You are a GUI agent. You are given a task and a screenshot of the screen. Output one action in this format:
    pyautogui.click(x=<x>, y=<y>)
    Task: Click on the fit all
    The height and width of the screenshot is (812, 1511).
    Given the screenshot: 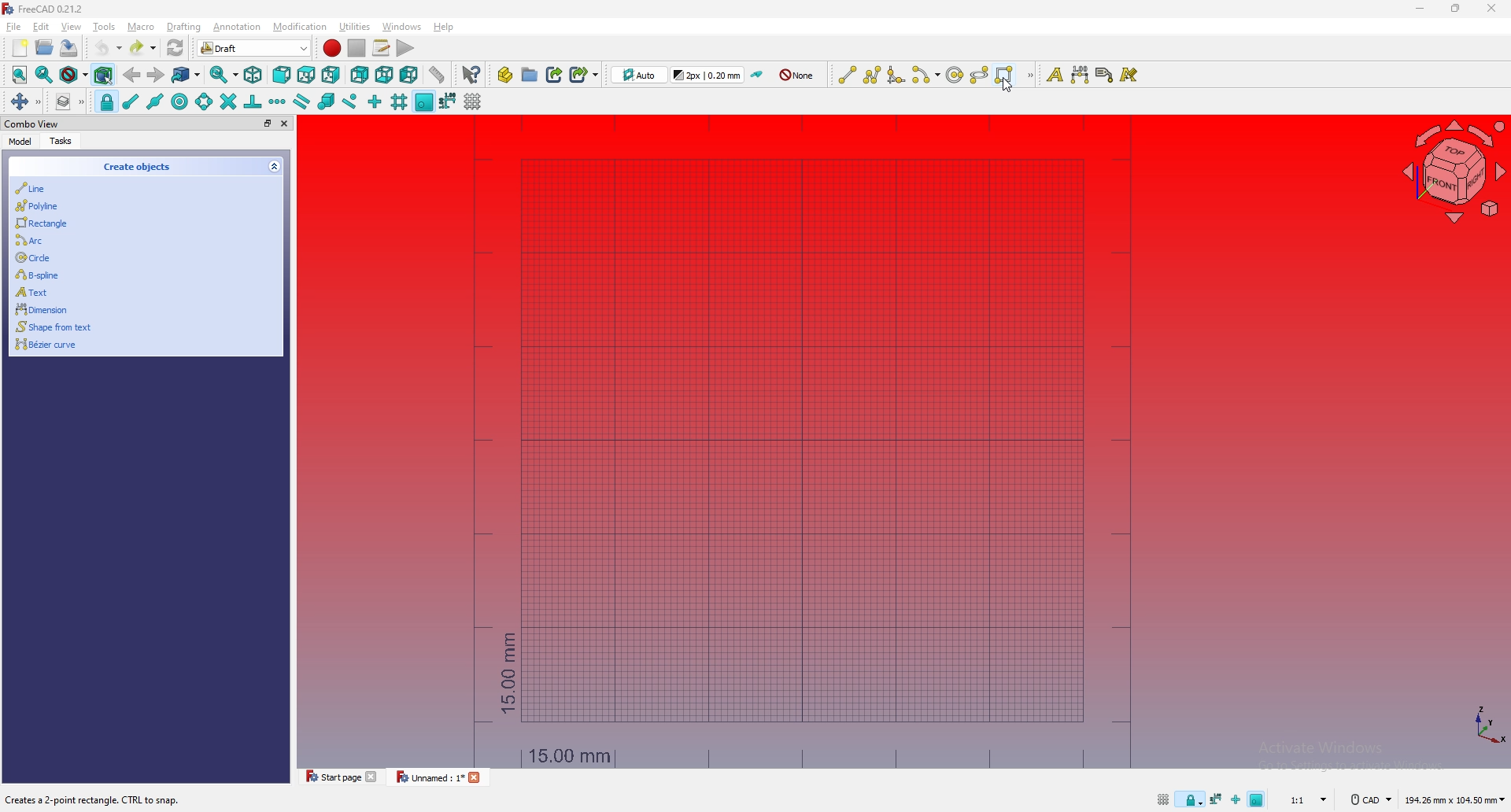 What is the action you would take?
    pyautogui.click(x=20, y=75)
    